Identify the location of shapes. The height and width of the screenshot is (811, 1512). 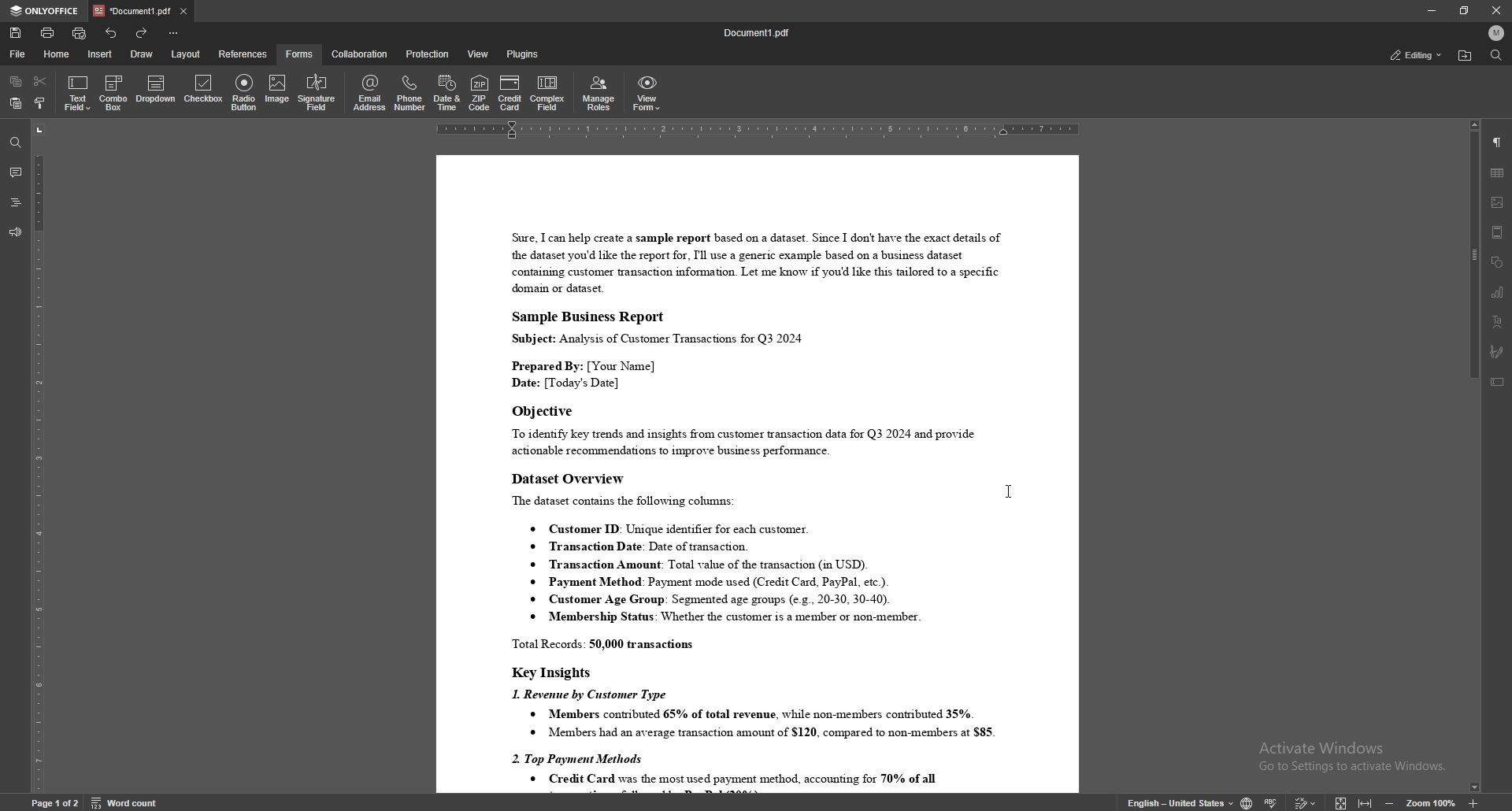
(1498, 262).